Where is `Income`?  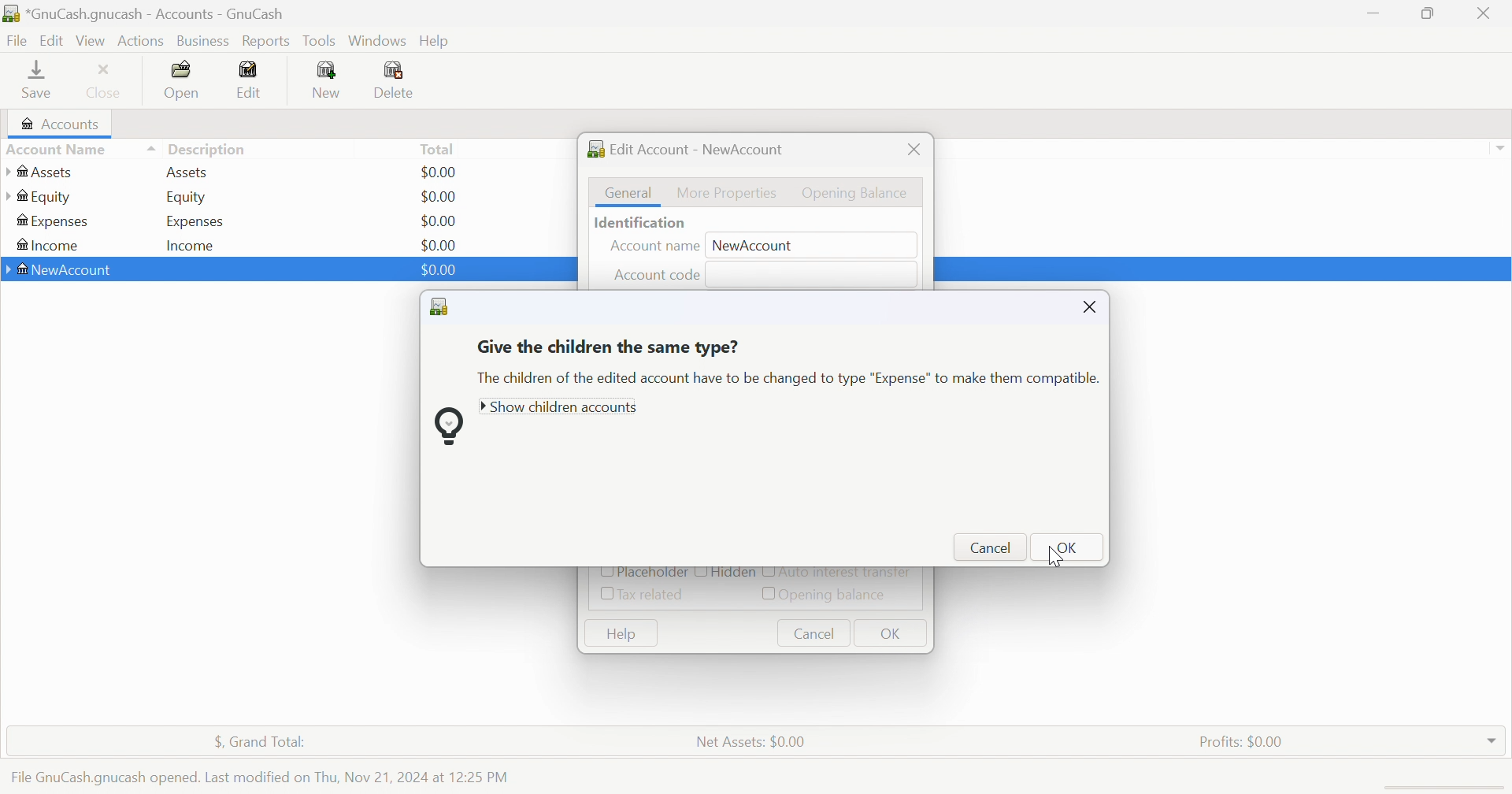 Income is located at coordinates (191, 247).